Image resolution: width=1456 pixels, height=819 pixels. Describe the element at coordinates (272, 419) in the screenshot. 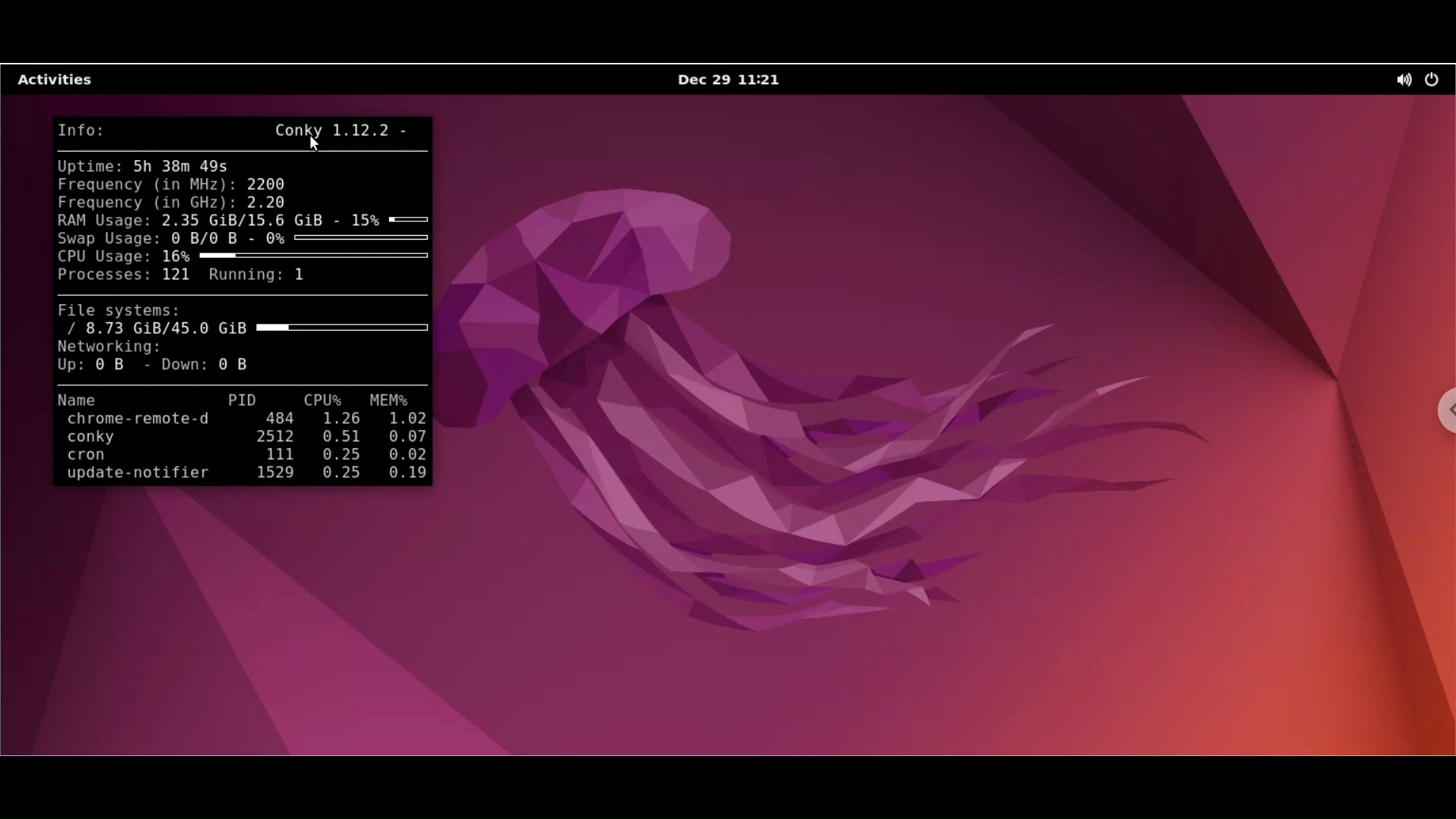

I see `484` at that location.